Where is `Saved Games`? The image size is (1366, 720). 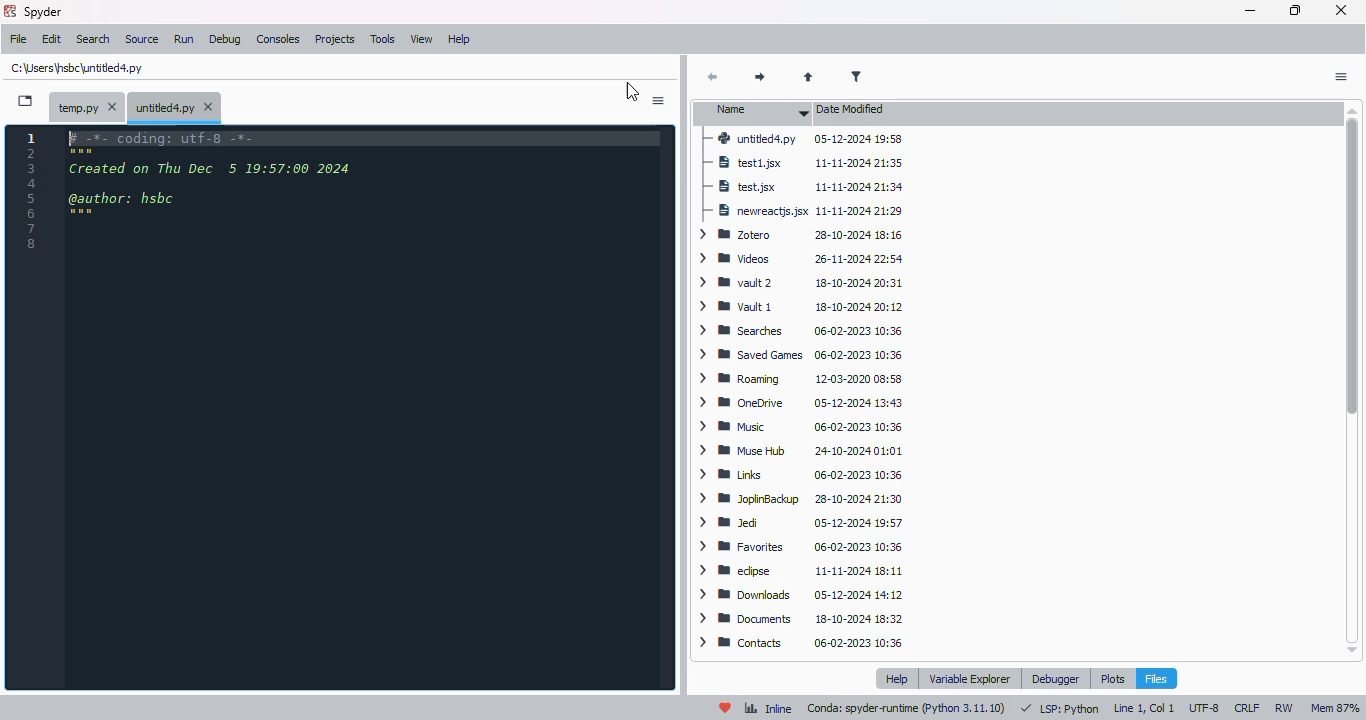 Saved Games is located at coordinates (802, 405).